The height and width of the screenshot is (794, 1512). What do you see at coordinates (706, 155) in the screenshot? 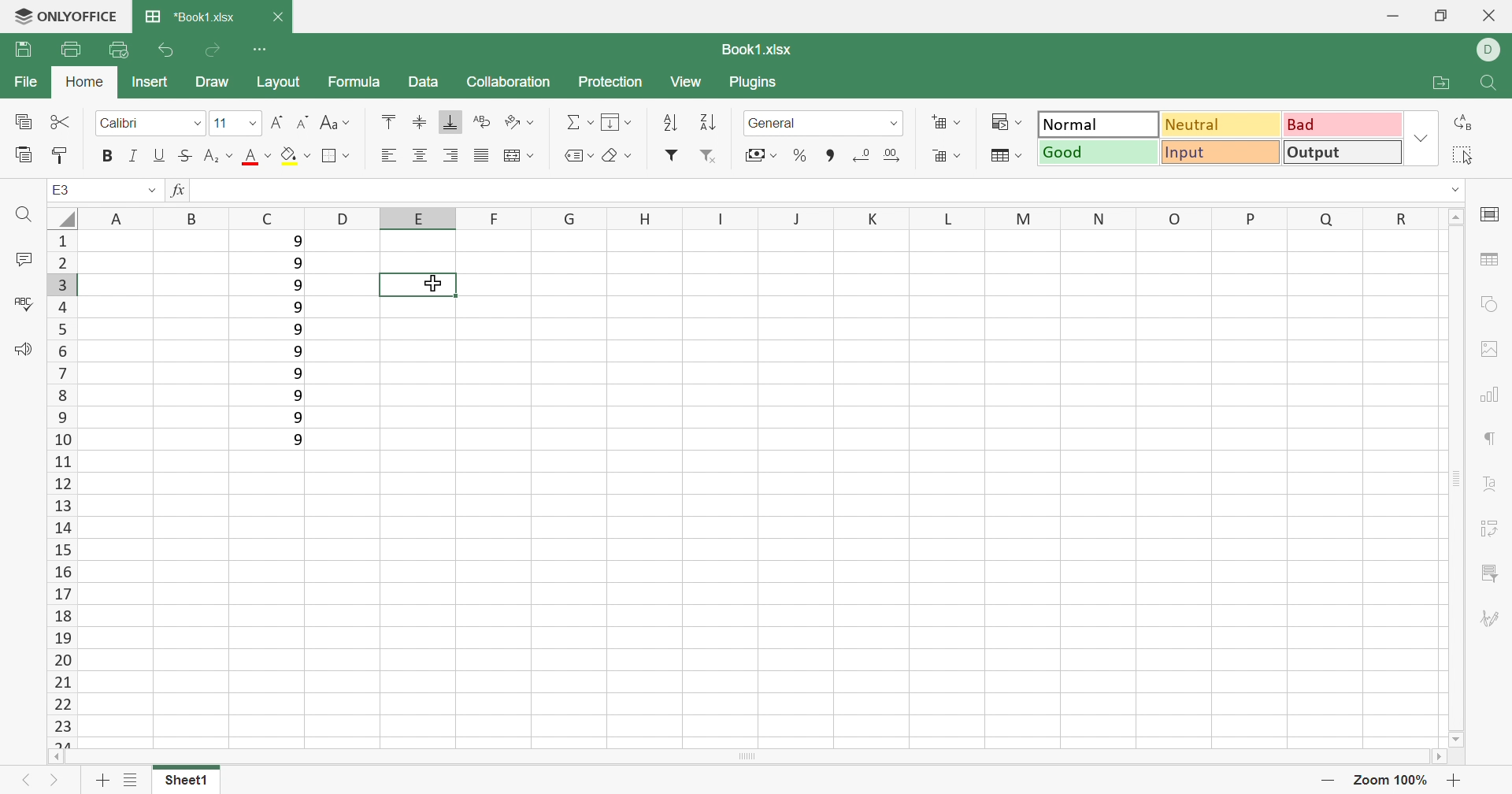
I see `Remove filter` at bounding box center [706, 155].